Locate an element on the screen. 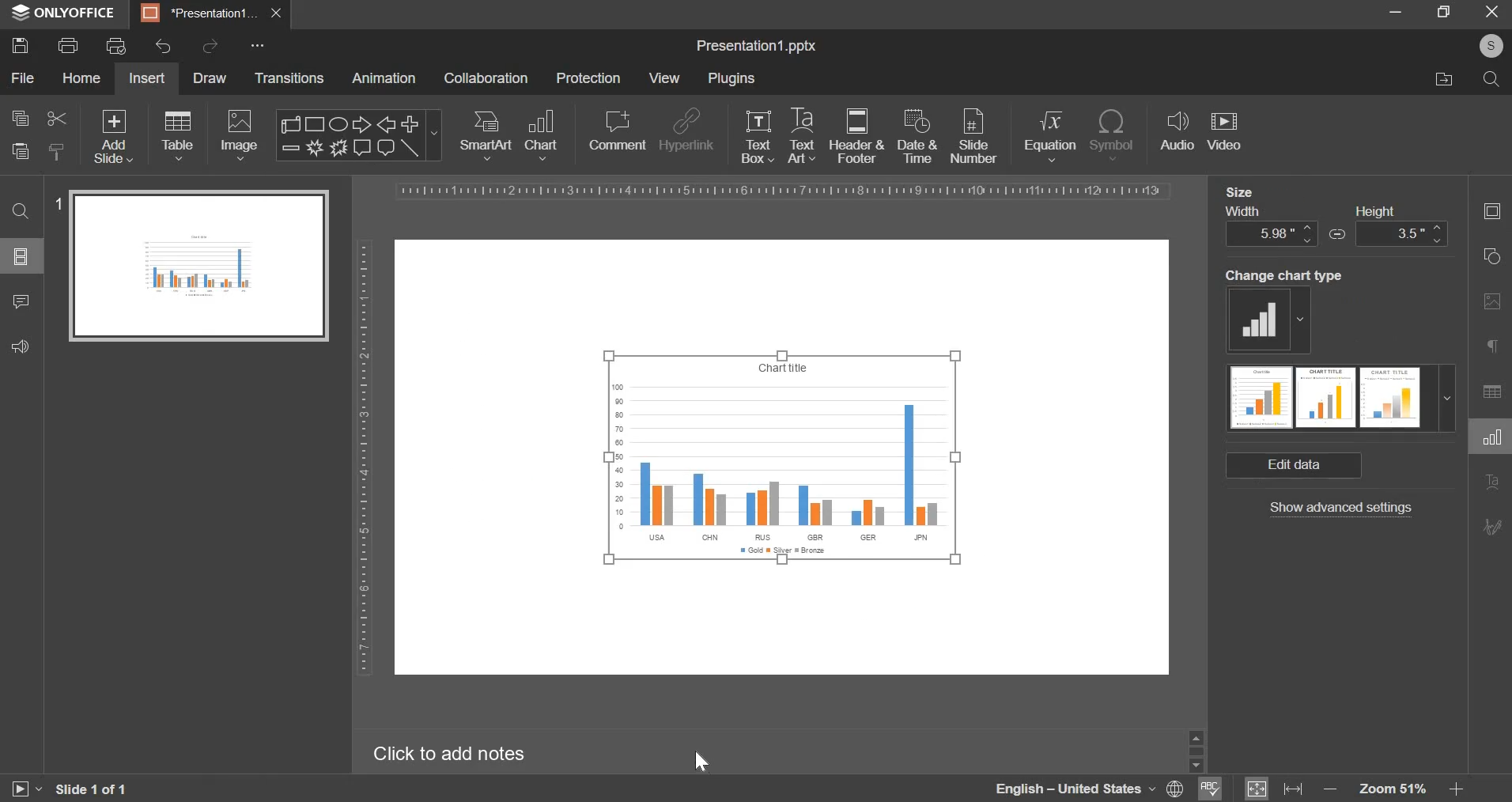 This screenshot has height=802, width=1512. audio is located at coordinates (1177, 133).